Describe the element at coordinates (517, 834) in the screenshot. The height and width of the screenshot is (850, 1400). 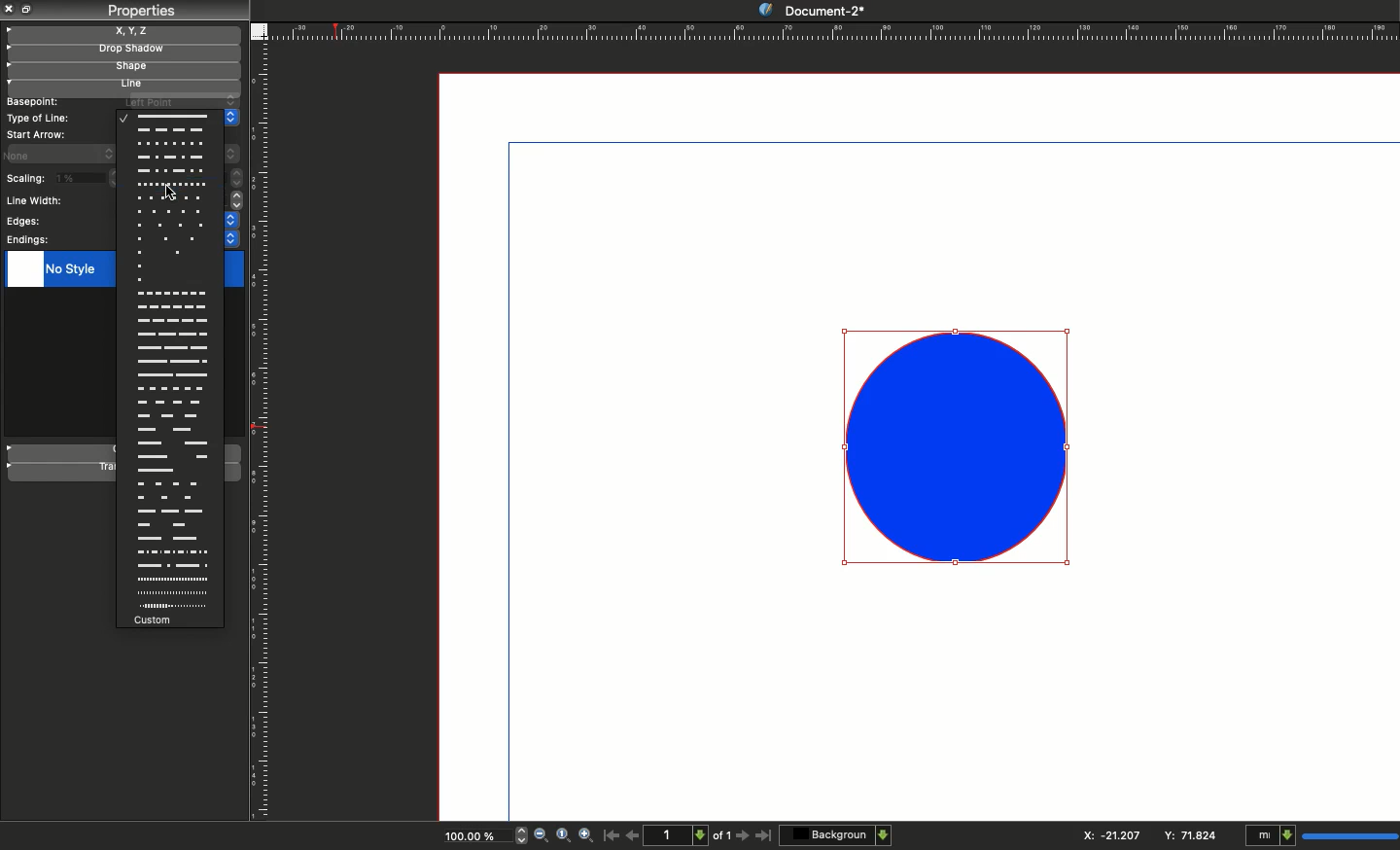
I see `zoom in and out` at that location.